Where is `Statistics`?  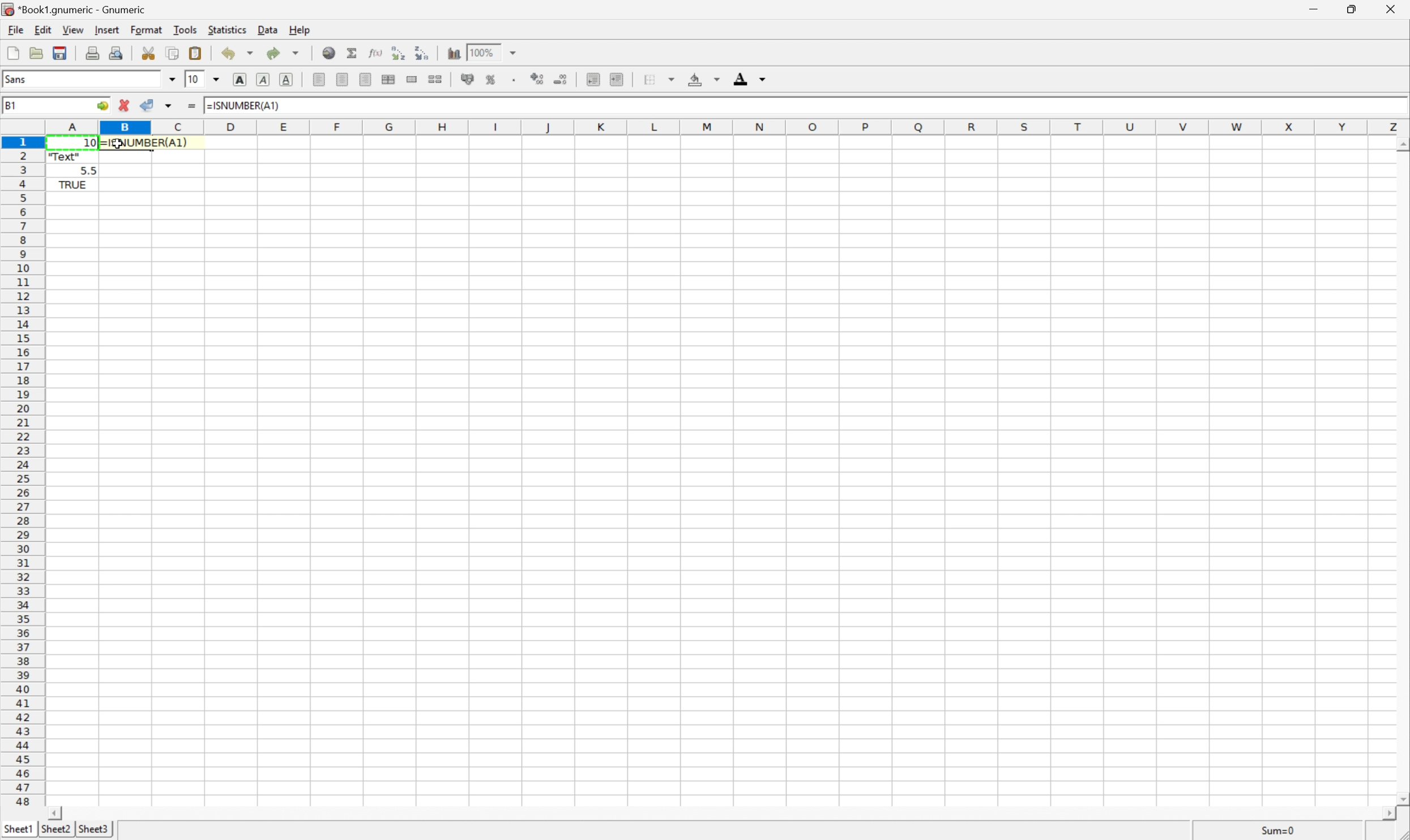 Statistics is located at coordinates (227, 29).